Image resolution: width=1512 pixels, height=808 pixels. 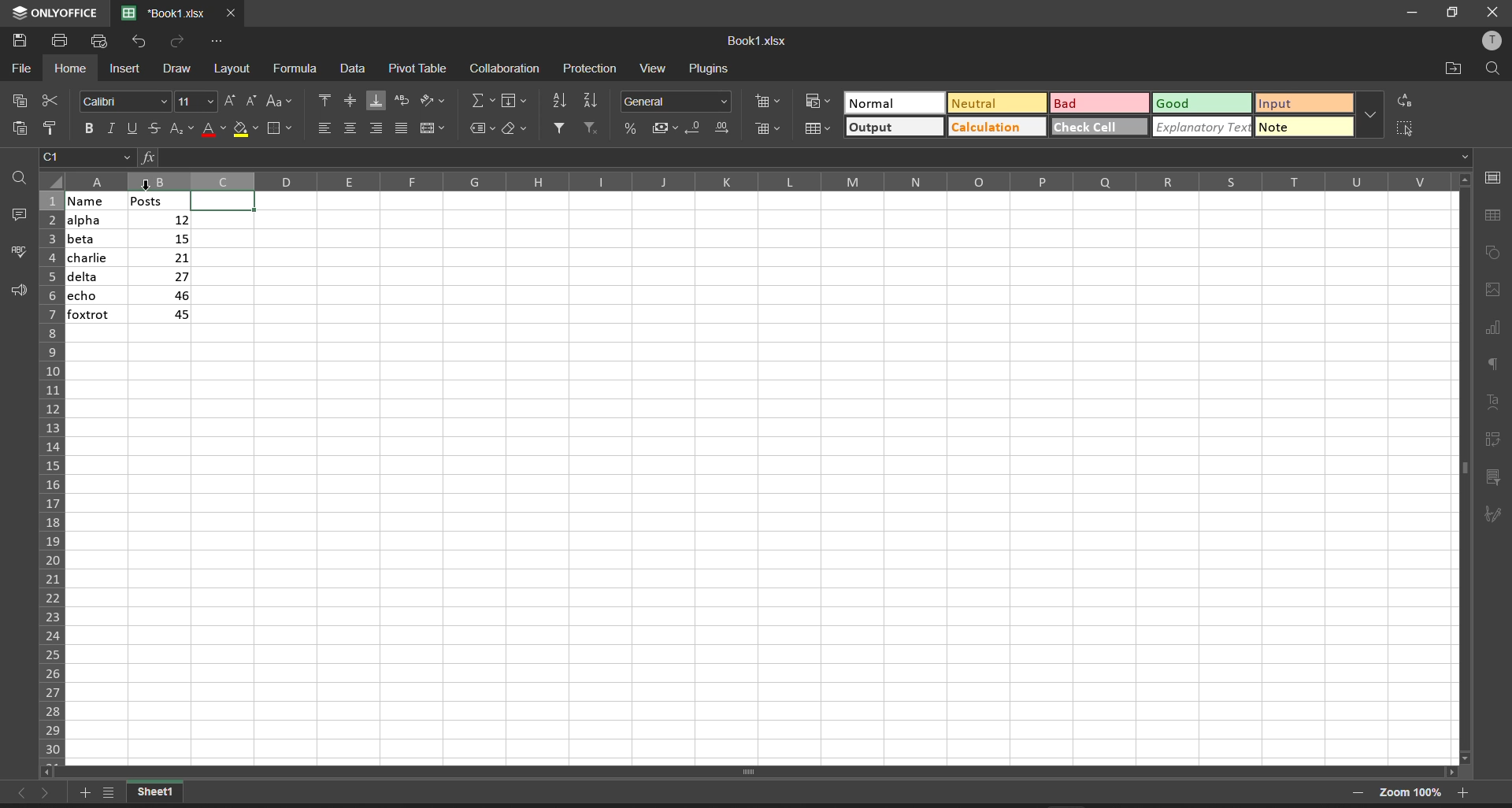 What do you see at coordinates (22, 41) in the screenshot?
I see `save` at bounding box center [22, 41].